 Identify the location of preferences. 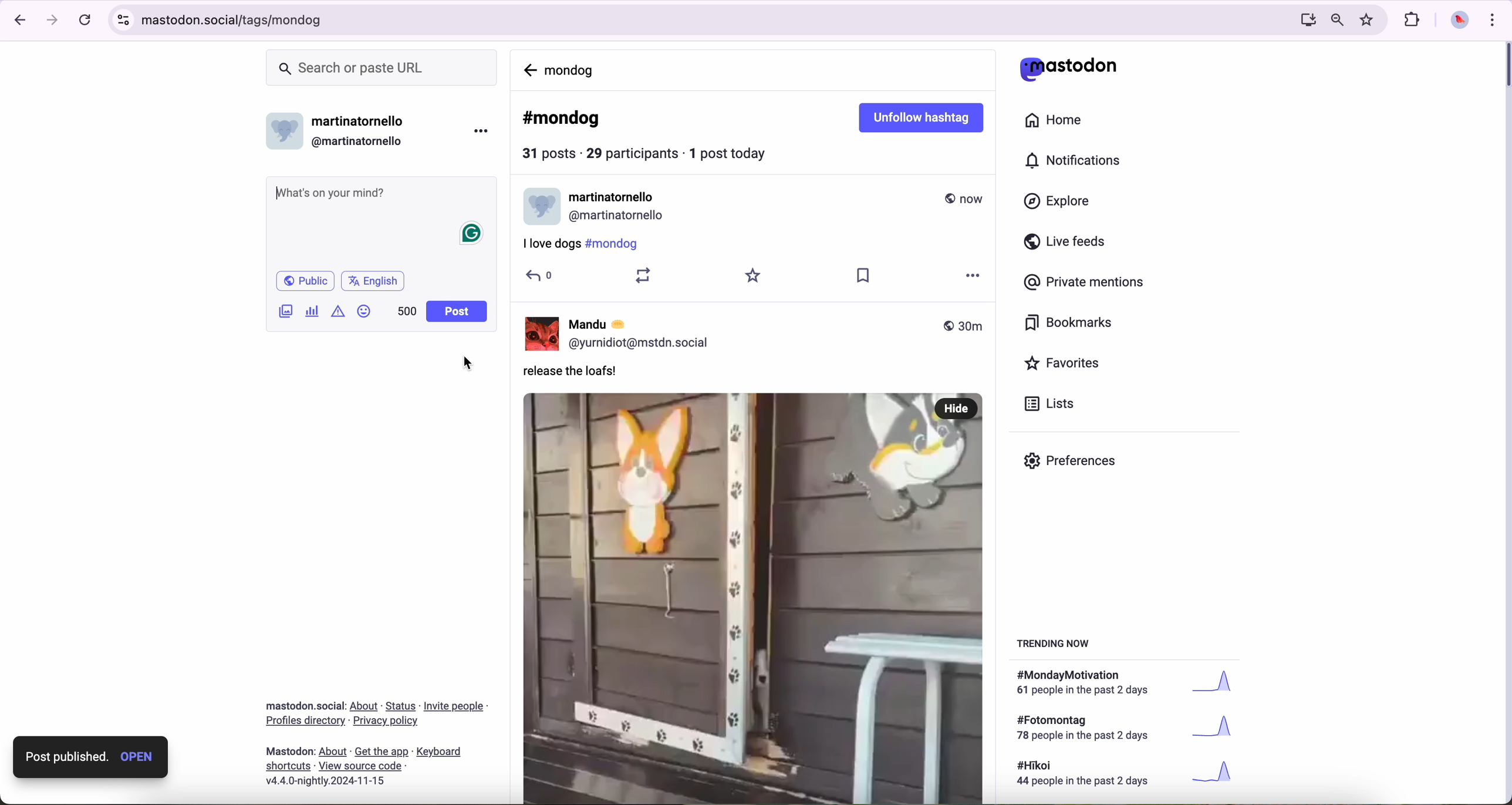
(1072, 462).